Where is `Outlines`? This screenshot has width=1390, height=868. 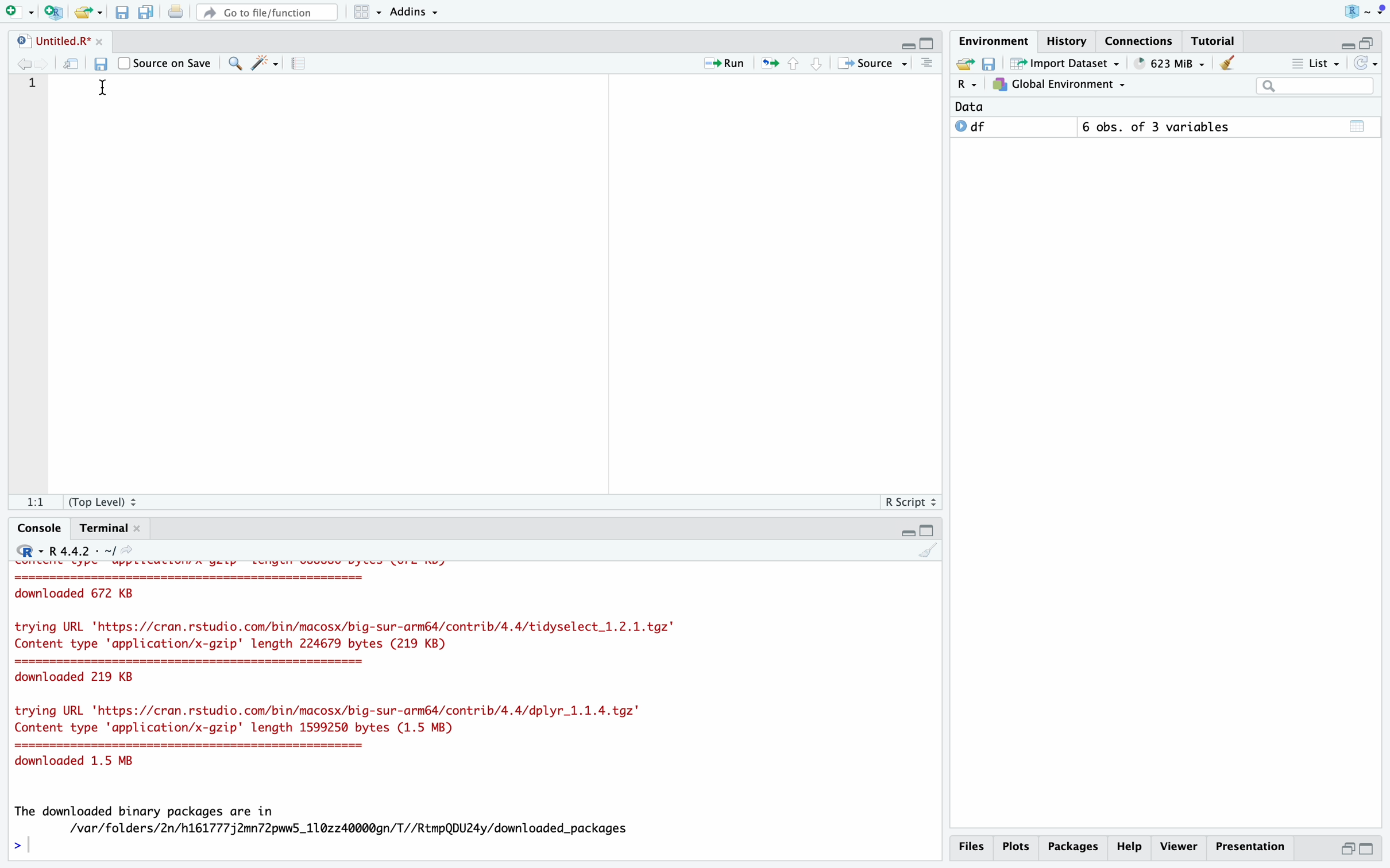
Outlines is located at coordinates (929, 63).